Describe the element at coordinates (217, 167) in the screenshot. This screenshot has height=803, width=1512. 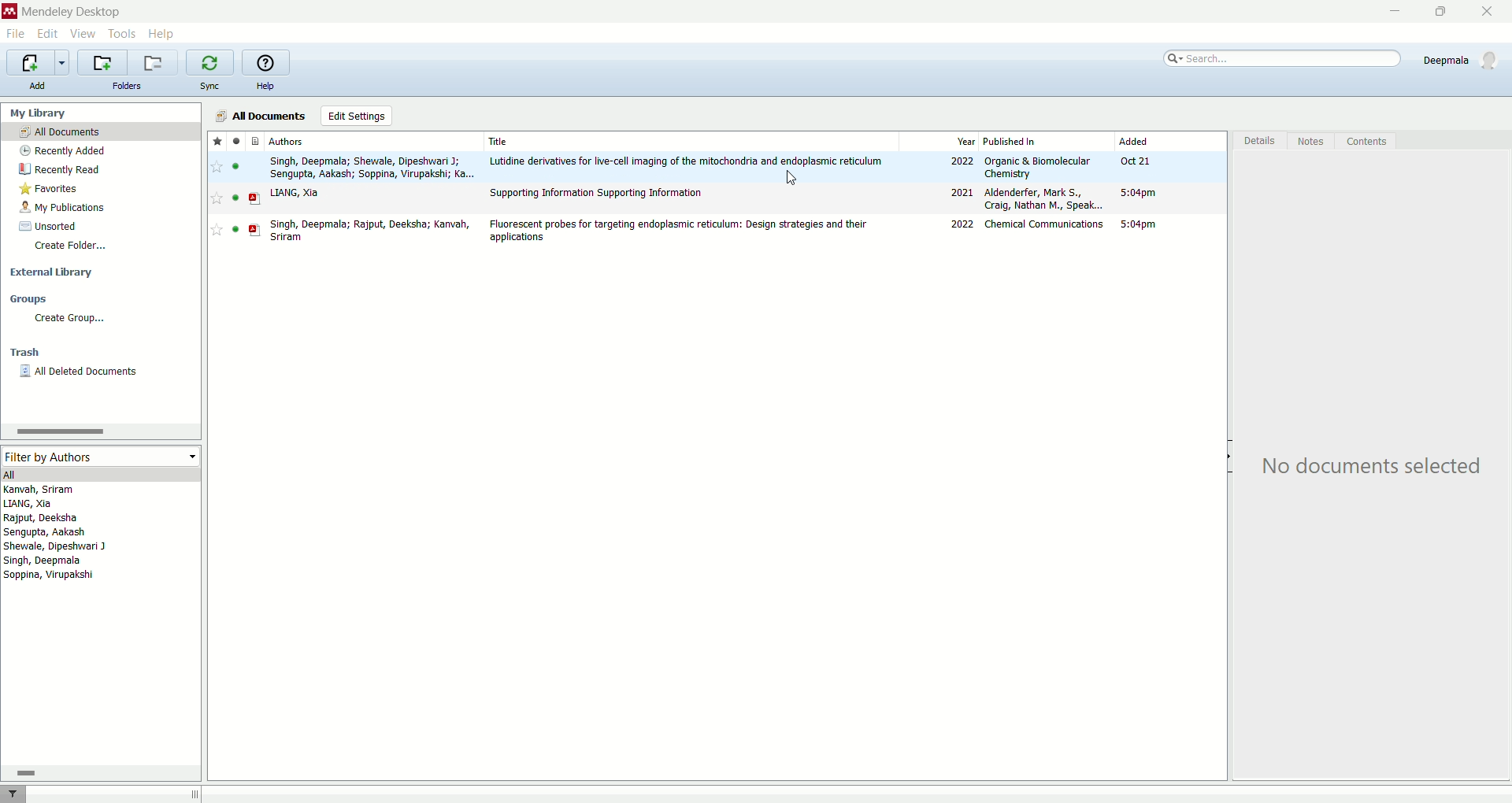
I see `favorite` at that location.